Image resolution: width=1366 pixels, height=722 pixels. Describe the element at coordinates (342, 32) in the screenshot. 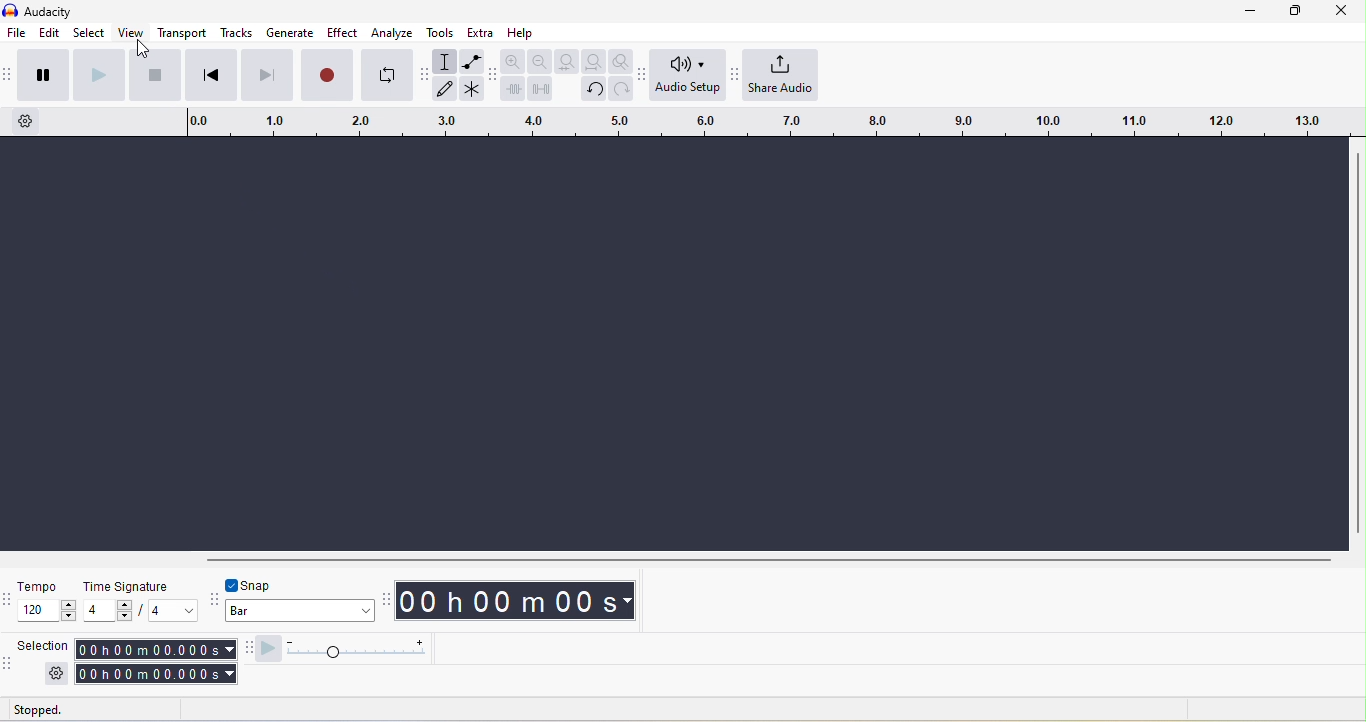

I see `effect` at that location.